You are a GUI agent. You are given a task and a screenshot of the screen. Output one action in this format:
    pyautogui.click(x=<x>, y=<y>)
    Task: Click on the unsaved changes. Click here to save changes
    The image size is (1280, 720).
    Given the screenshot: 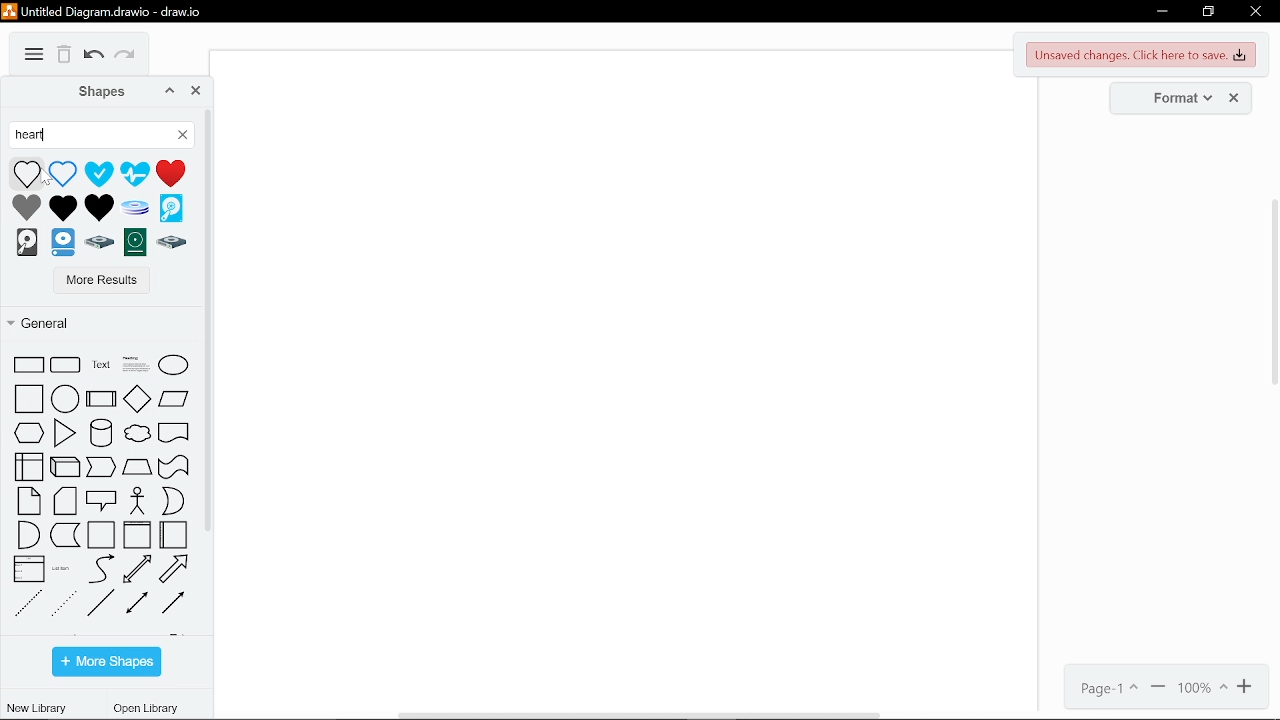 What is the action you would take?
    pyautogui.click(x=1143, y=55)
    